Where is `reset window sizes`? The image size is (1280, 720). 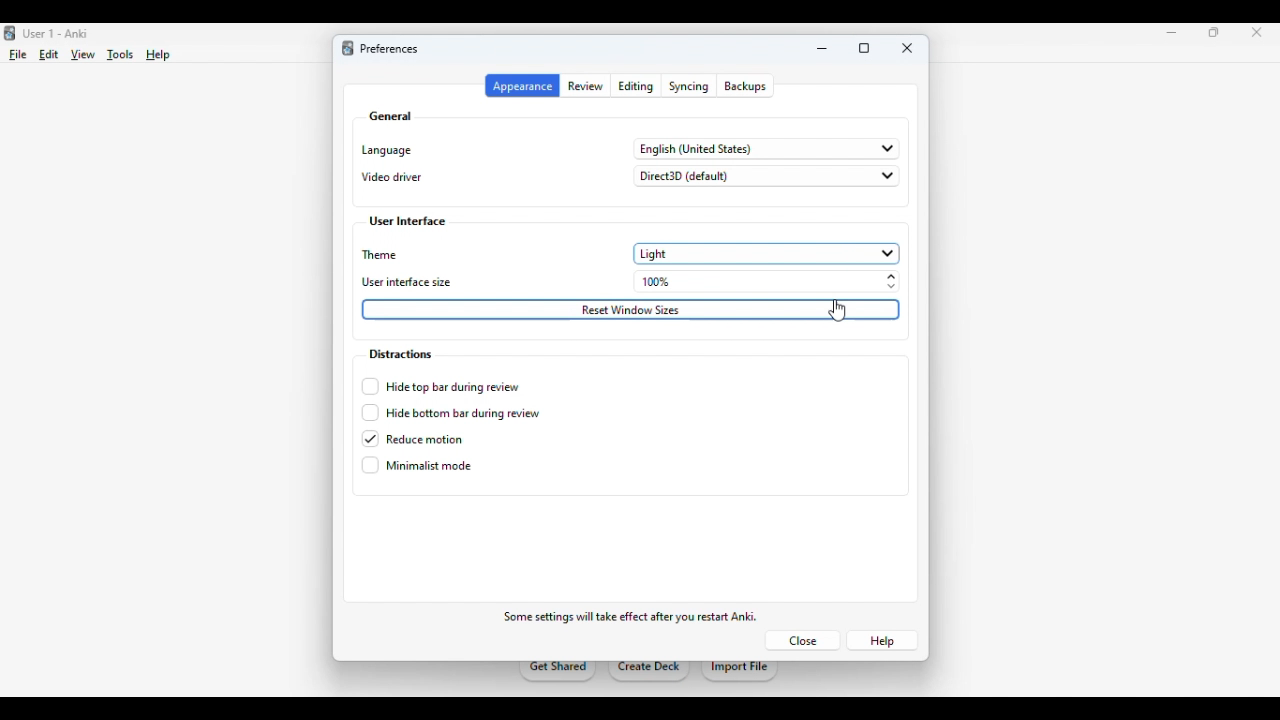
reset window sizes is located at coordinates (631, 310).